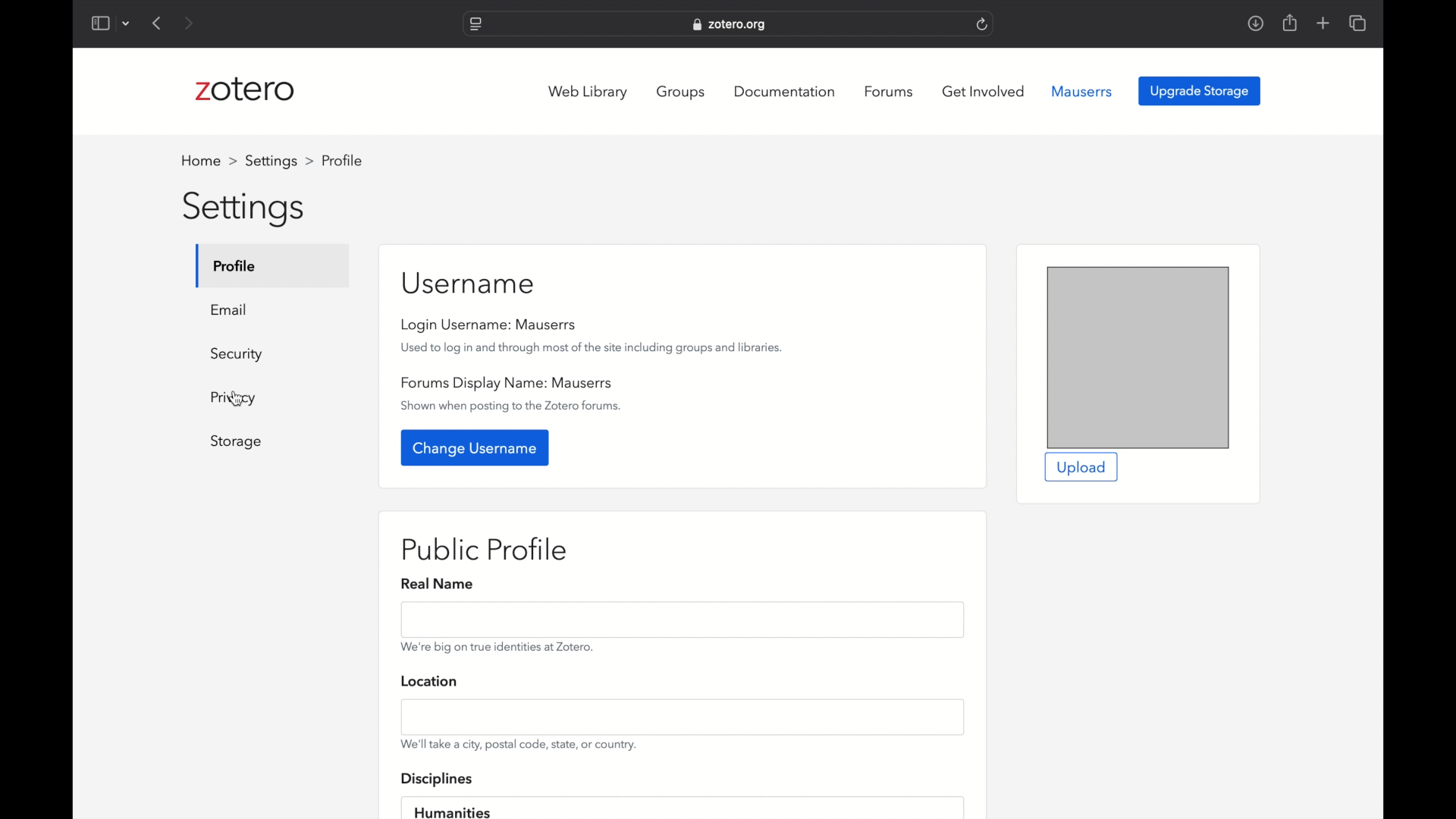 The height and width of the screenshot is (819, 1456). I want to click on username, so click(467, 284).